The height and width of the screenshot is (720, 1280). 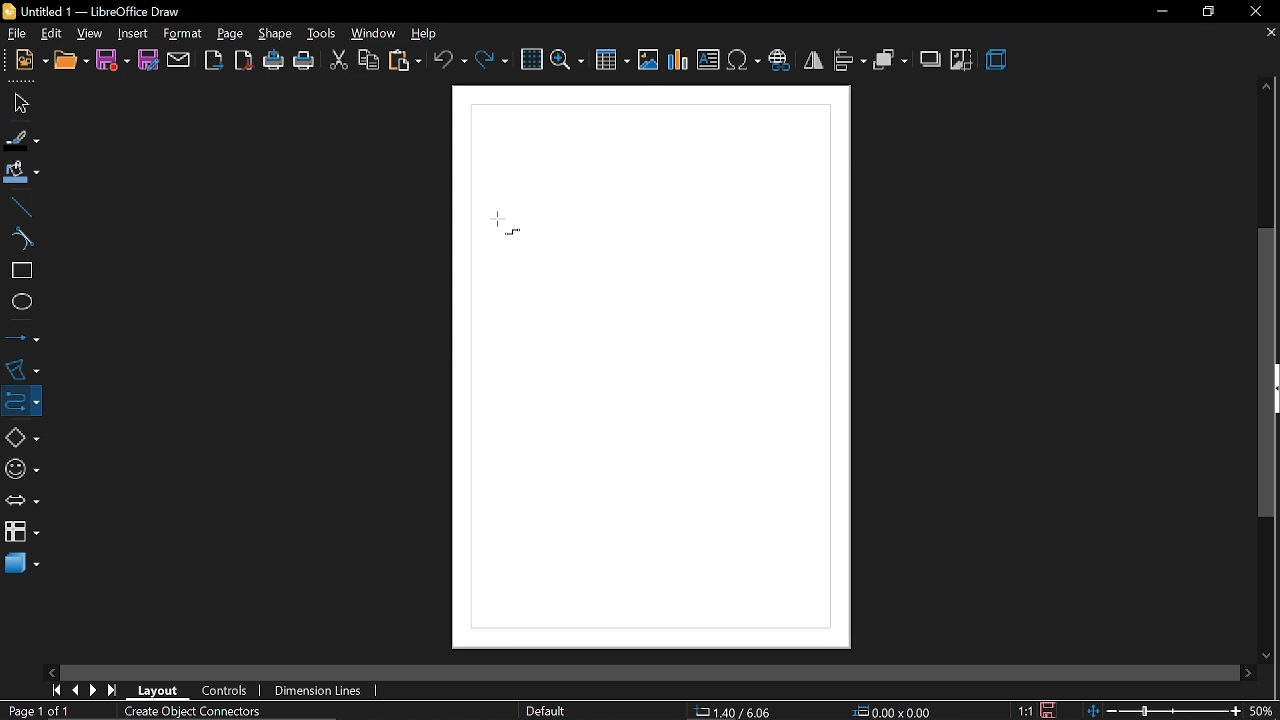 I want to click on move right, so click(x=1248, y=671).